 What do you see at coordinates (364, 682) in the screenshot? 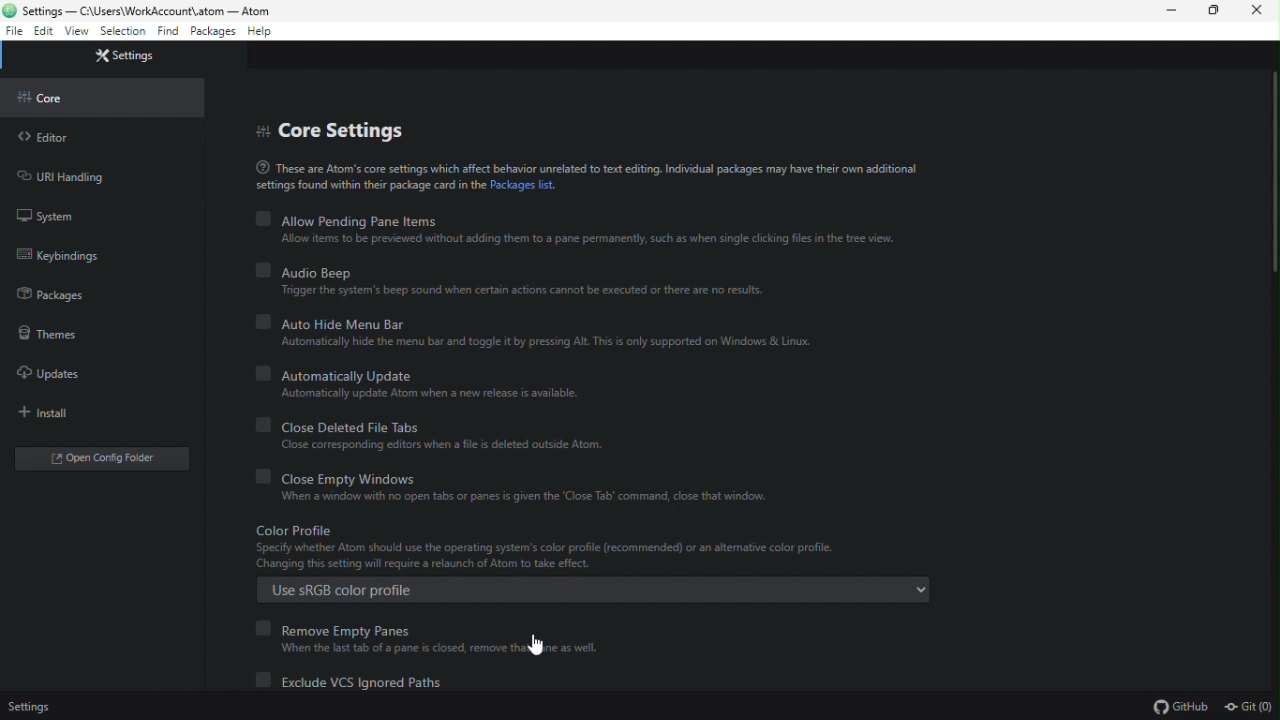
I see `exclude VCS ignored file paths` at bounding box center [364, 682].